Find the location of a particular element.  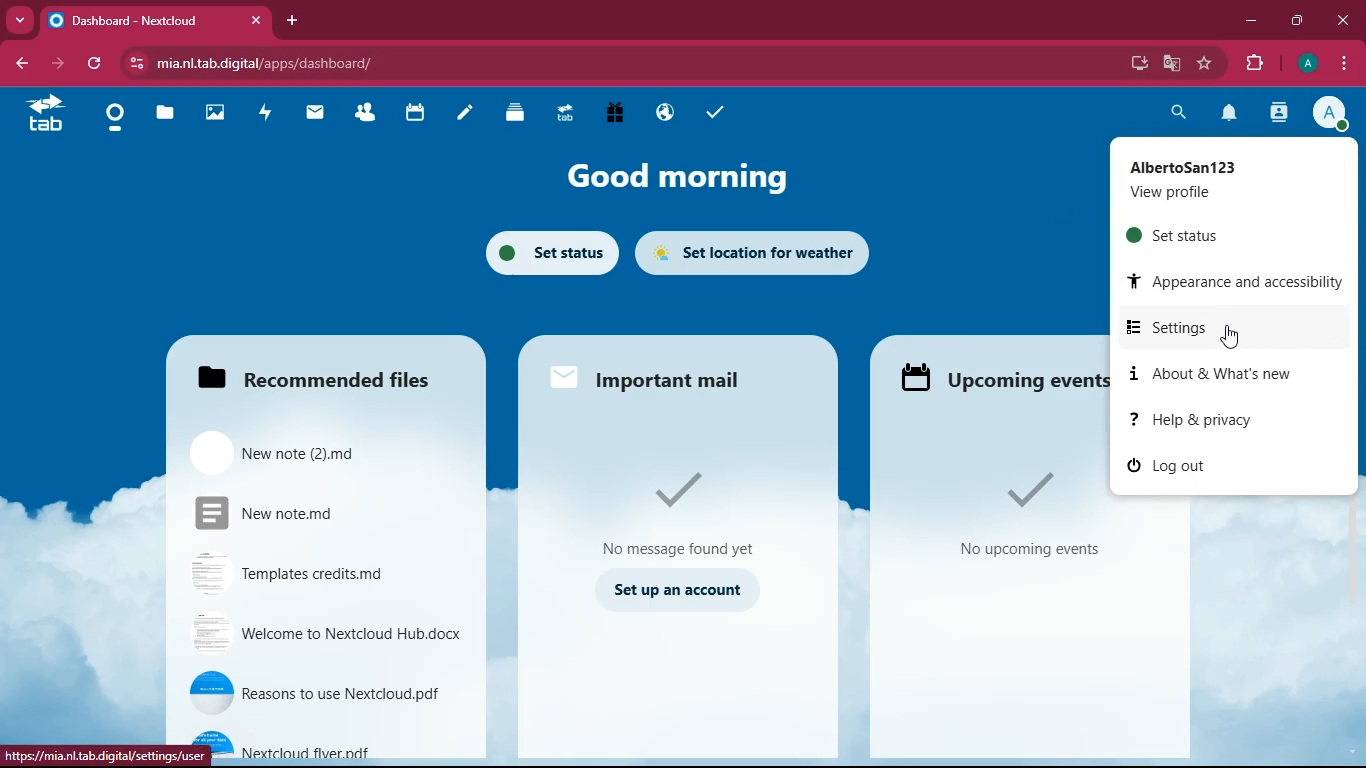

Dashboard- Nextcloud is located at coordinates (127, 22).